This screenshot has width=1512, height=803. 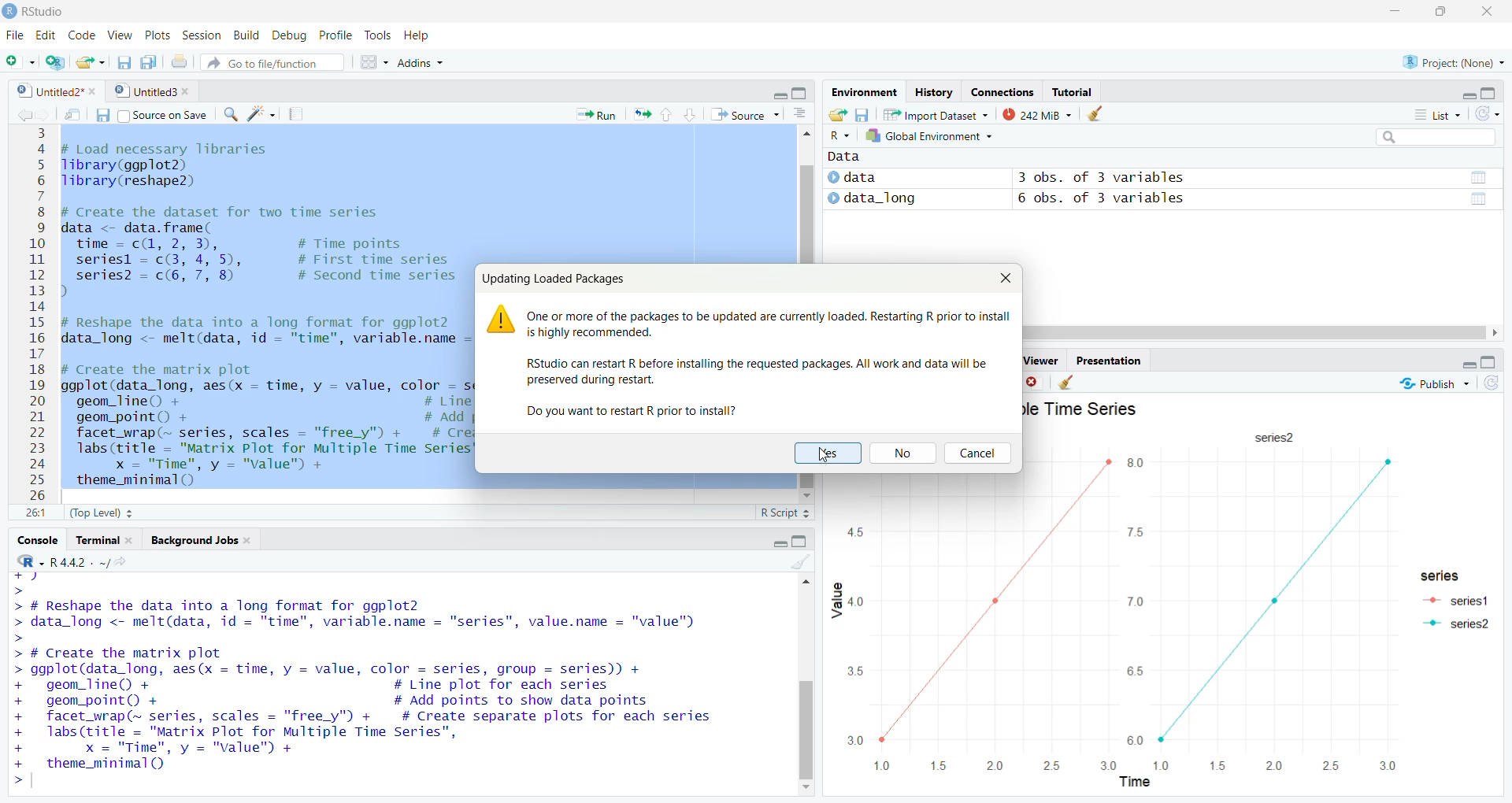 I want to click on Run, so click(x=598, y=114).